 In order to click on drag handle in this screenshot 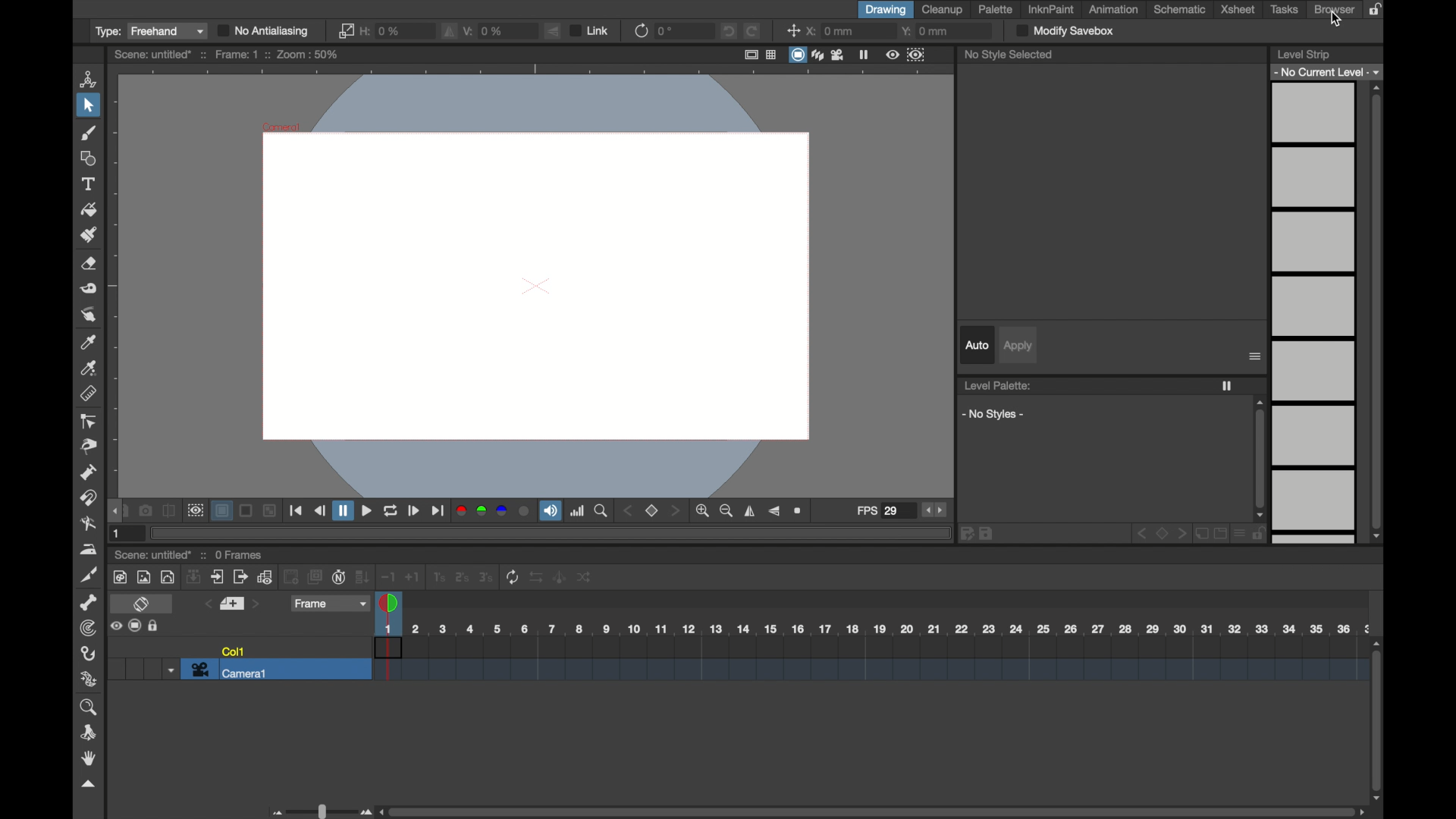, I will do `click(115, 510)`.